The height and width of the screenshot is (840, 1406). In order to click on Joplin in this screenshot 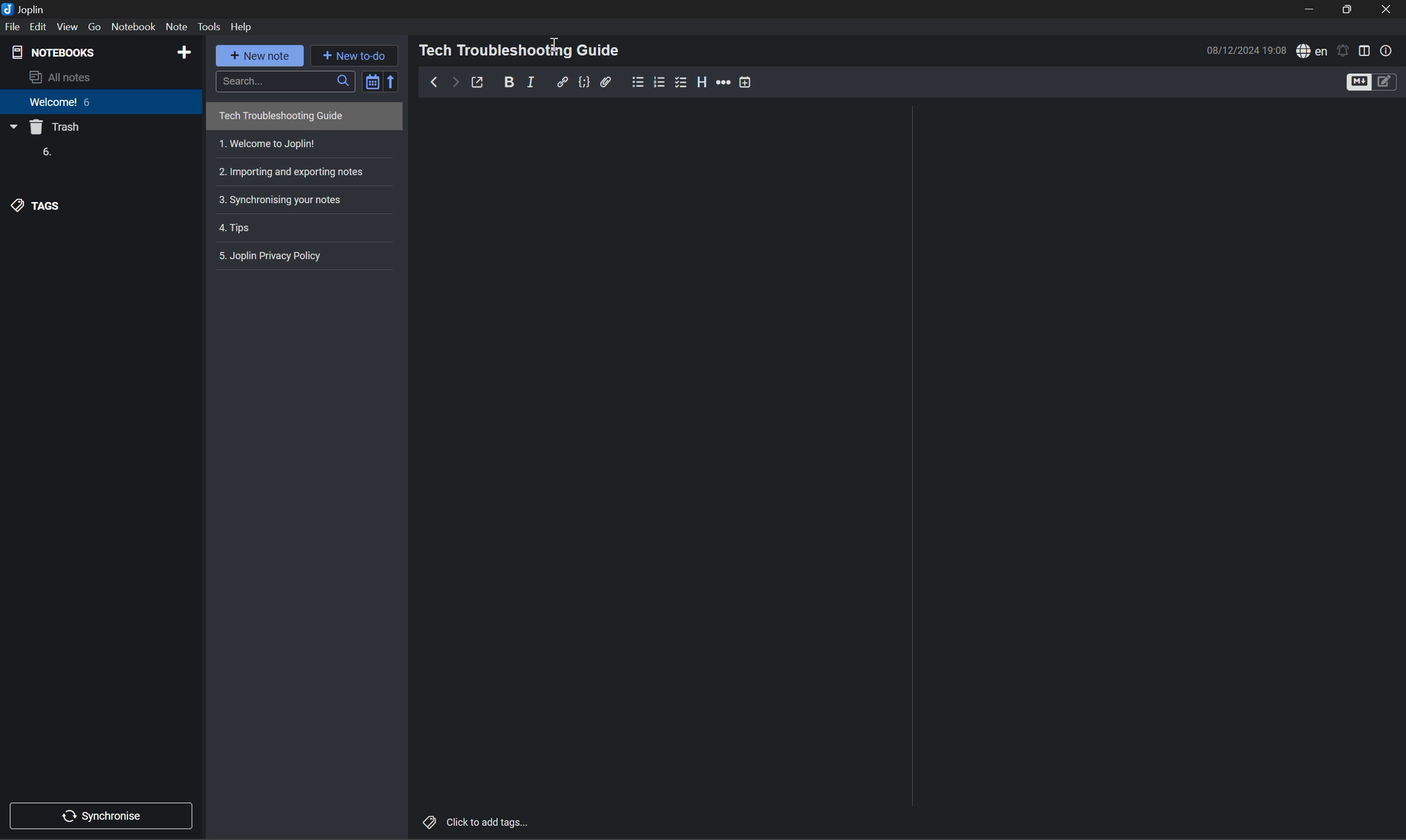, I will do `click(25, 7)`.